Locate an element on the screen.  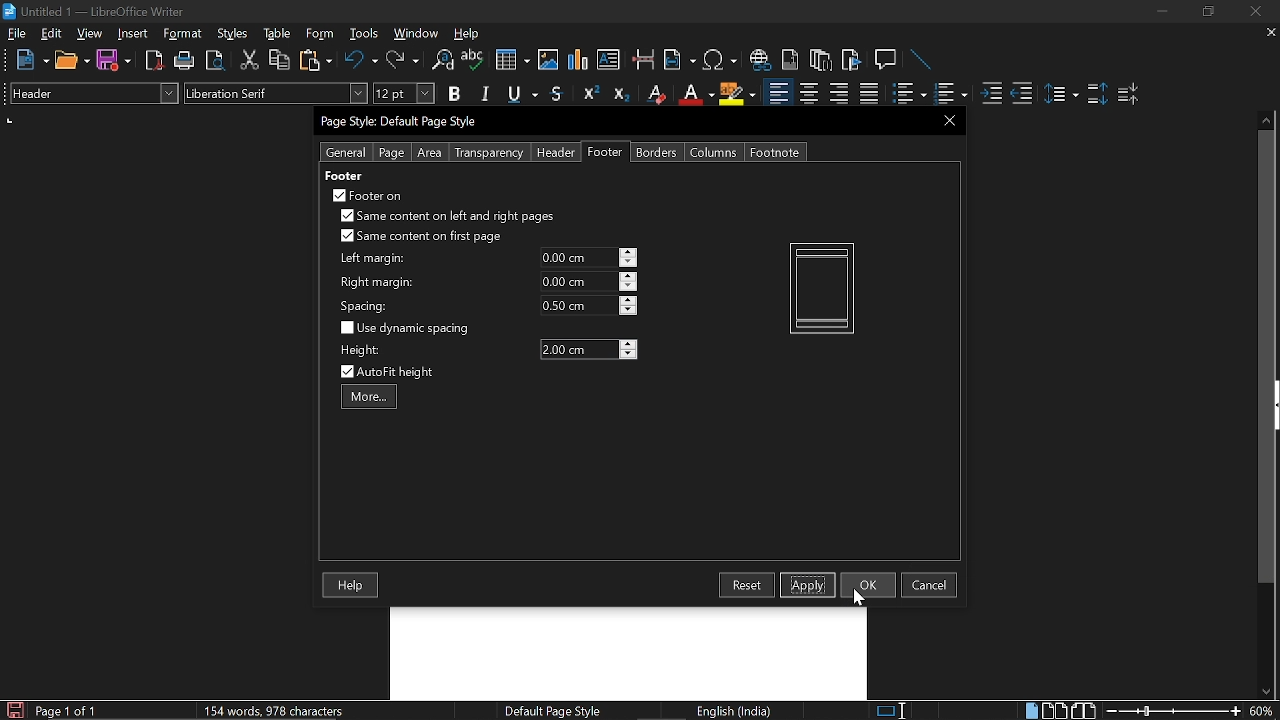
current right margin is located at coordinates (577, 281).